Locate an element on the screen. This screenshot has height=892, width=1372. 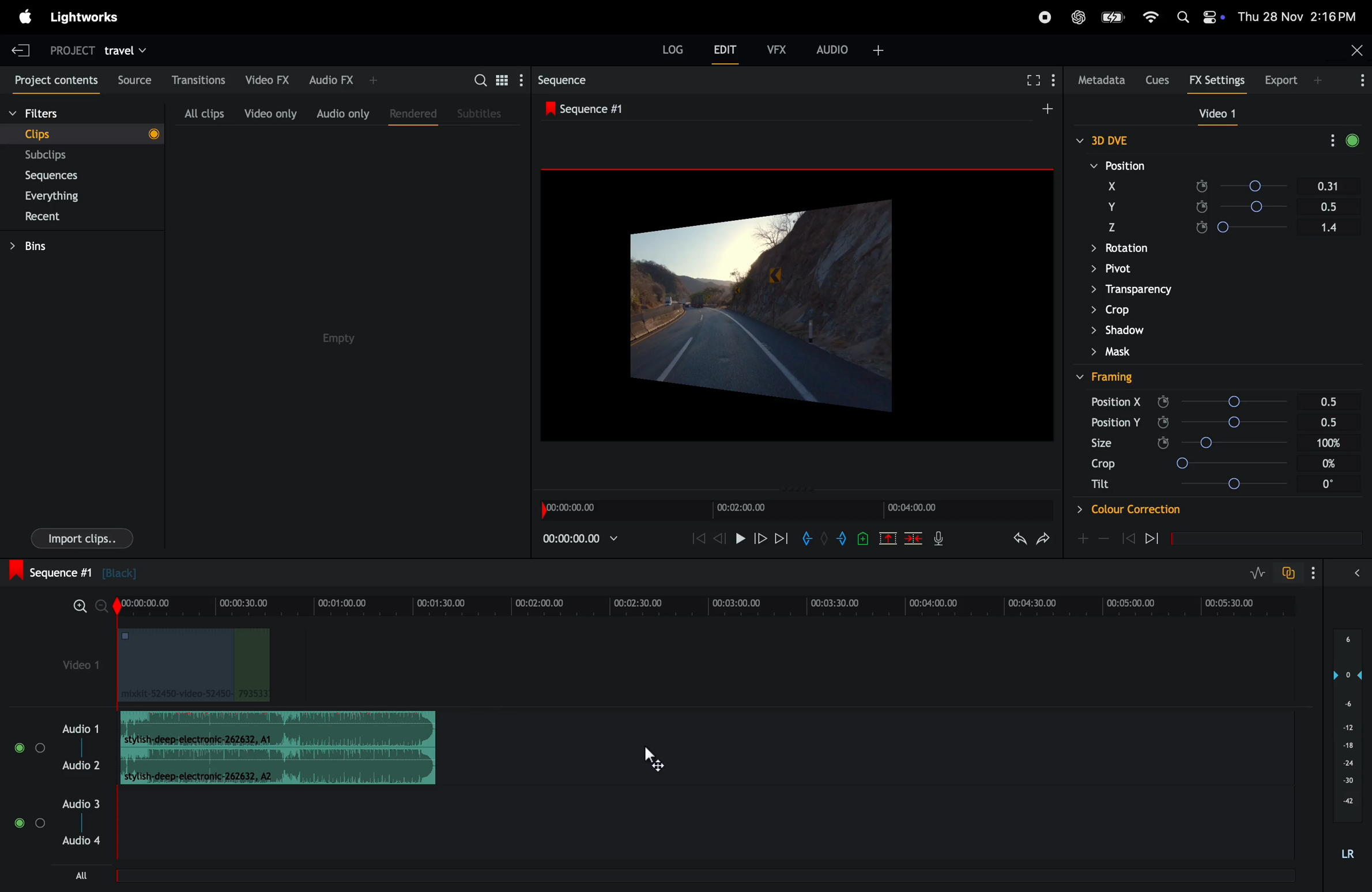
audio 1 and 2 is located at coordinates (58, 753).